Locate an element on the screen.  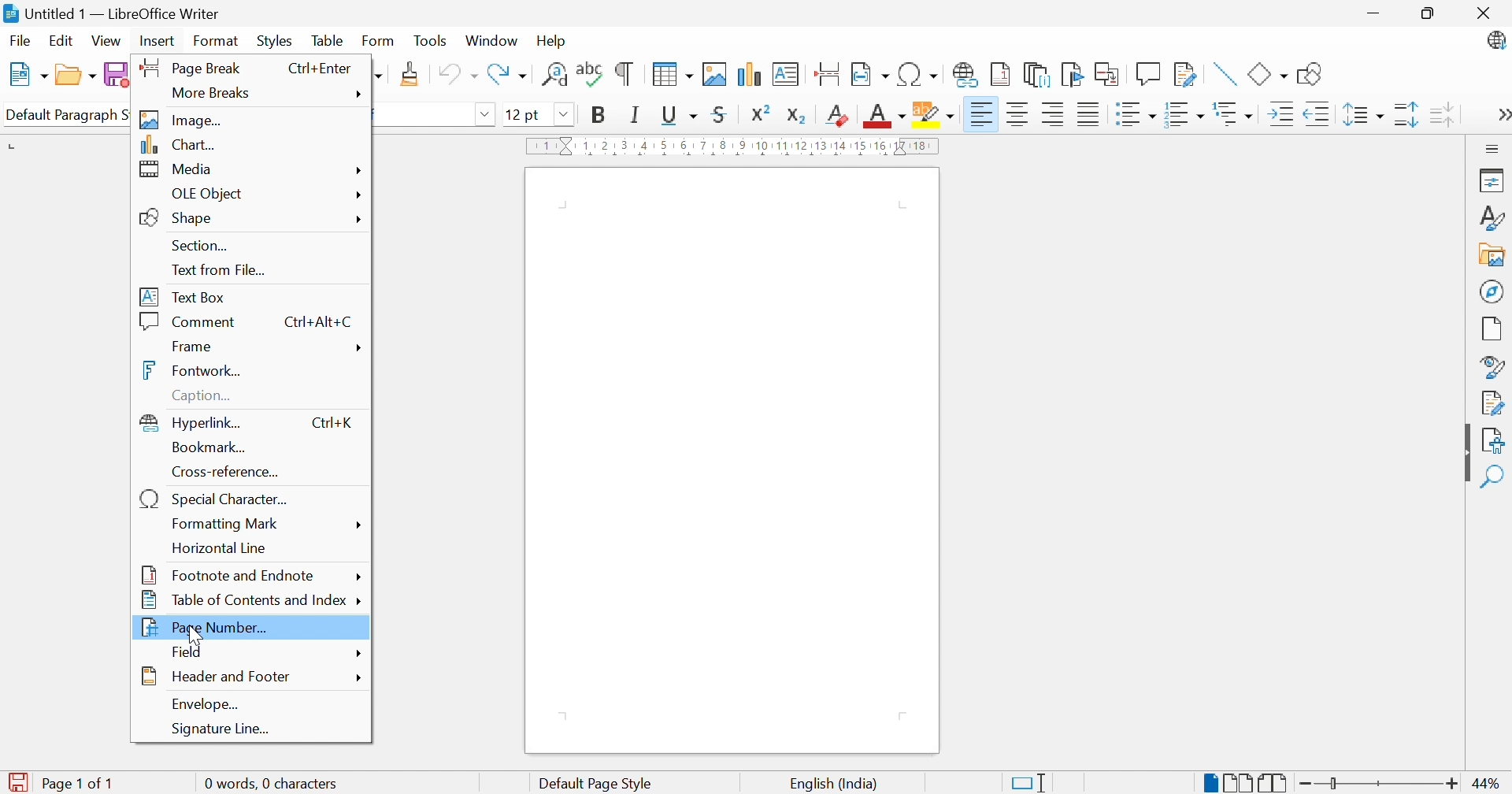
Underline is located at coordinates (678, 114).